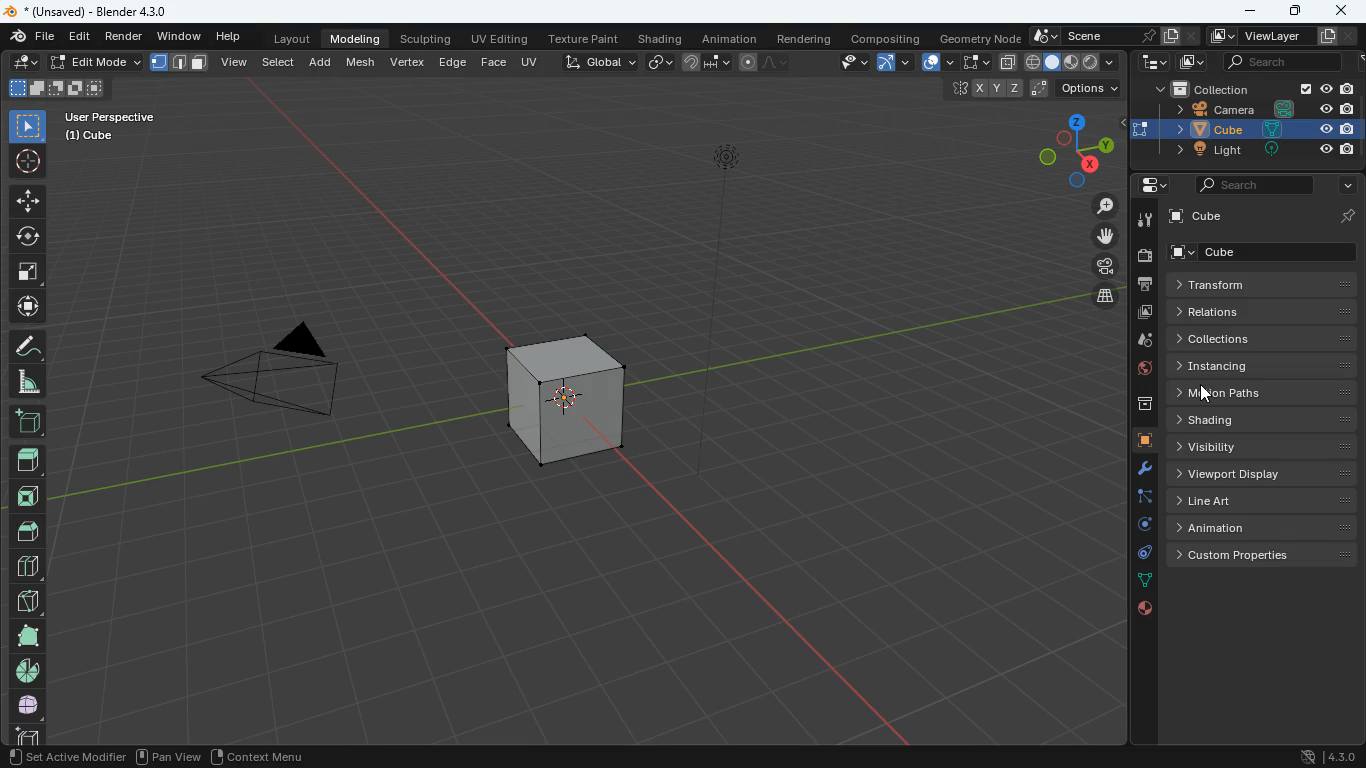  What do you see at coordinates (1264, 421) in the screenshot?
I see `shading` at bounding box center [1264, 421].